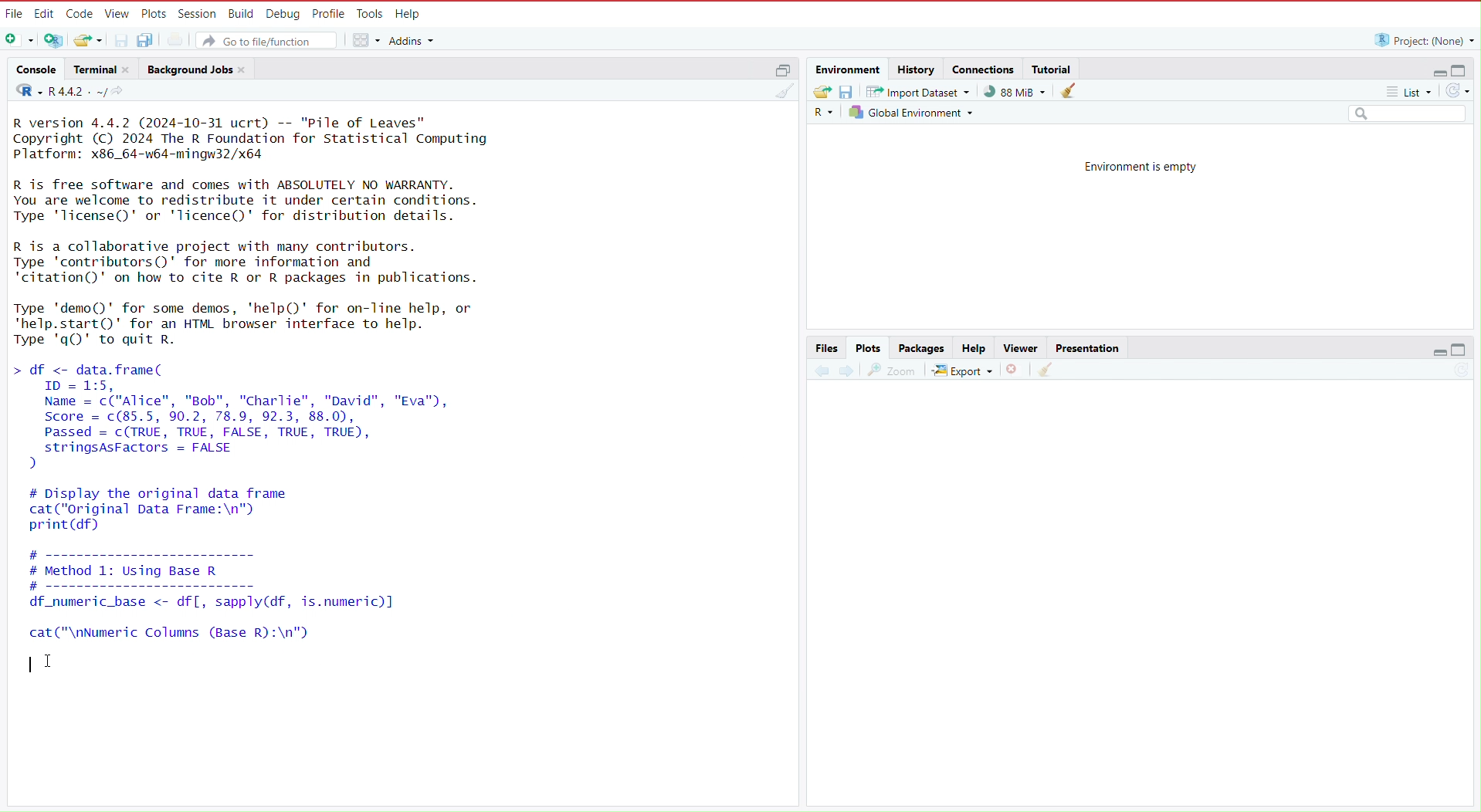 The height and width of the screenshot is (812, 1481). I want to click on maximize, so click(1467, 350).